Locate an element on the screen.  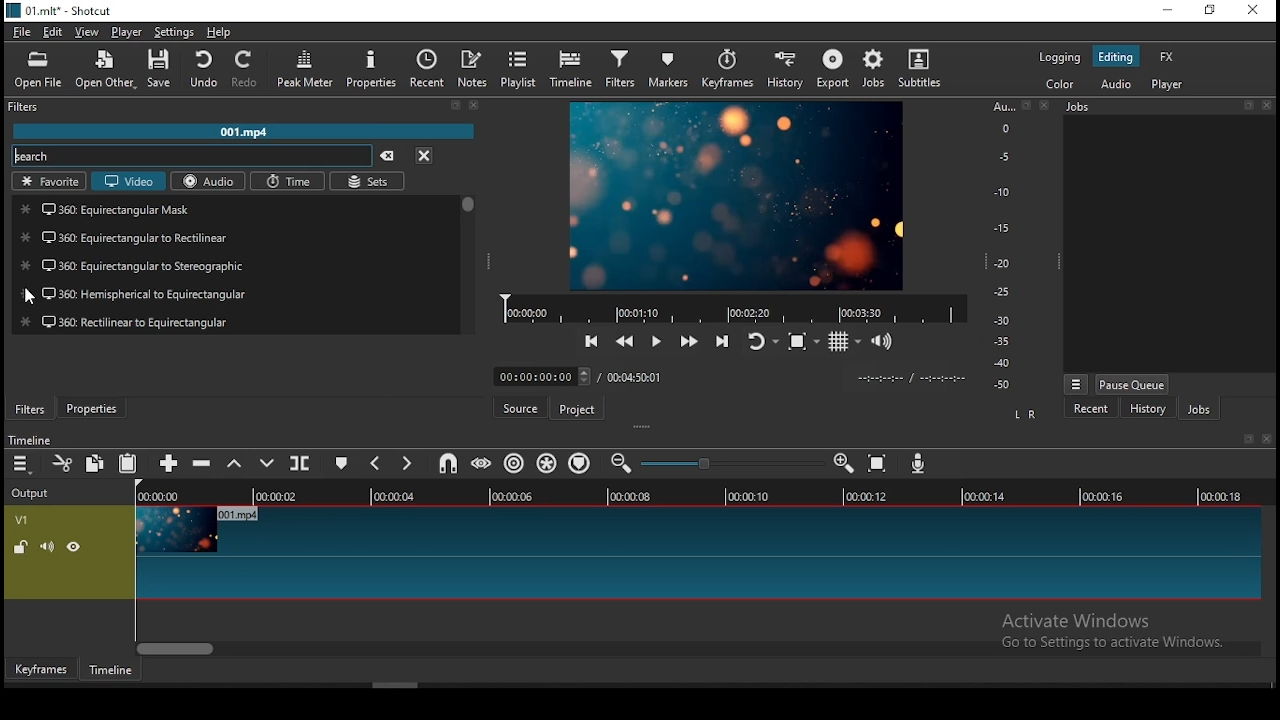
ripple markers is located at coordinates (578, 464).